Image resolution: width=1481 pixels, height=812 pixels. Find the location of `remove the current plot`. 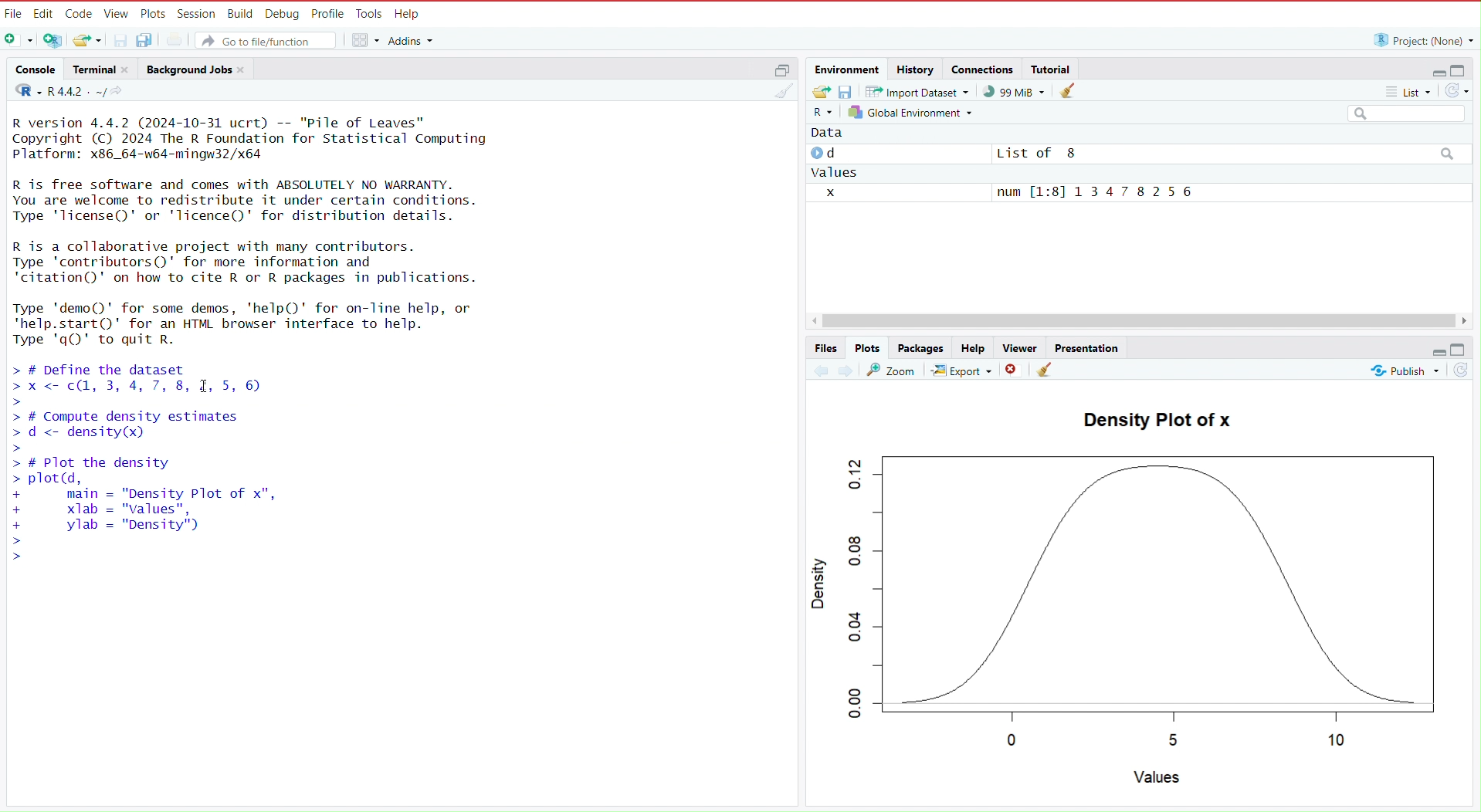

remove the current plot is located at coordinates (1015, 370).